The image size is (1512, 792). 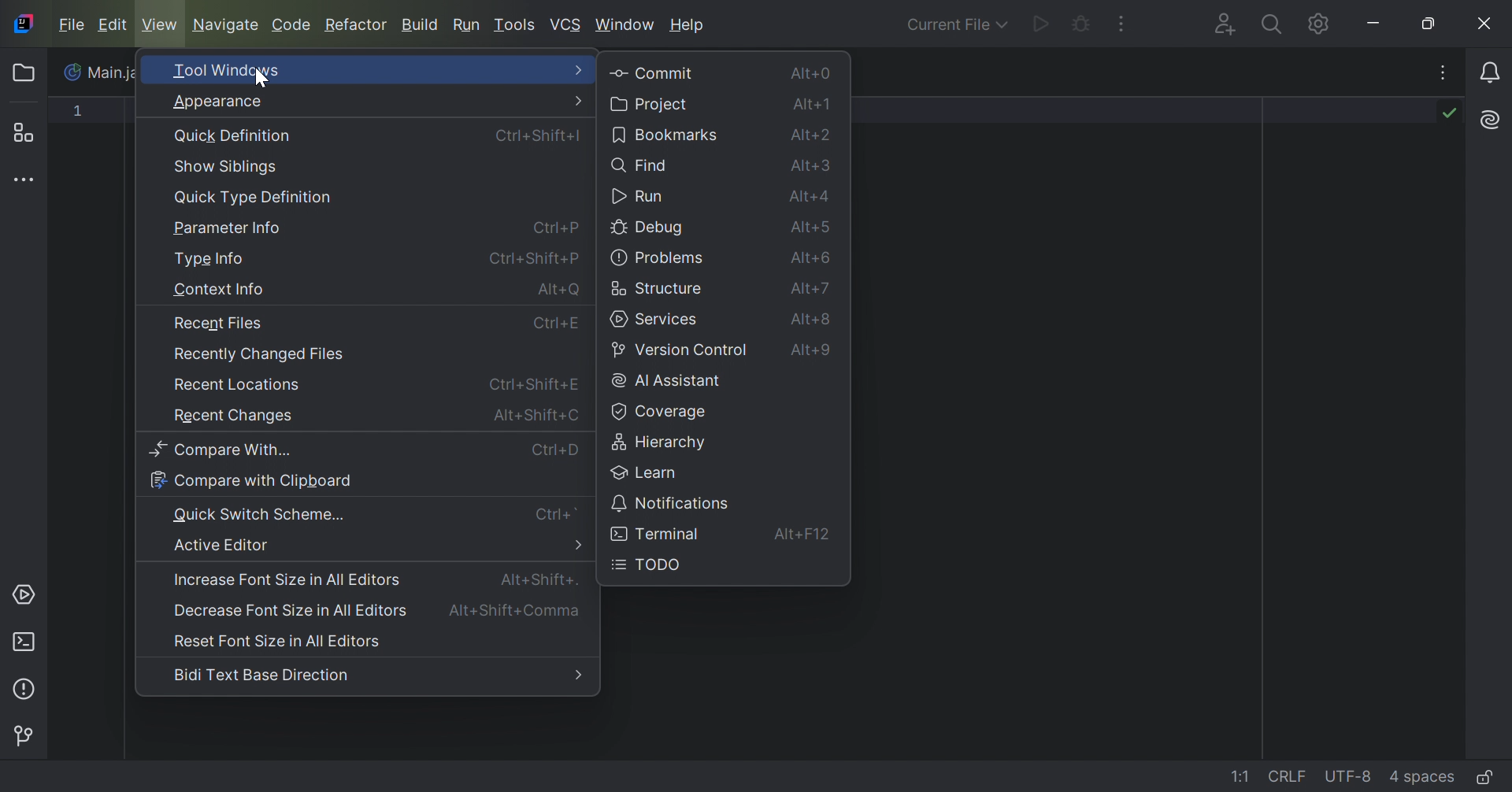 I want to click on Learn, so click(x=643, y=472).